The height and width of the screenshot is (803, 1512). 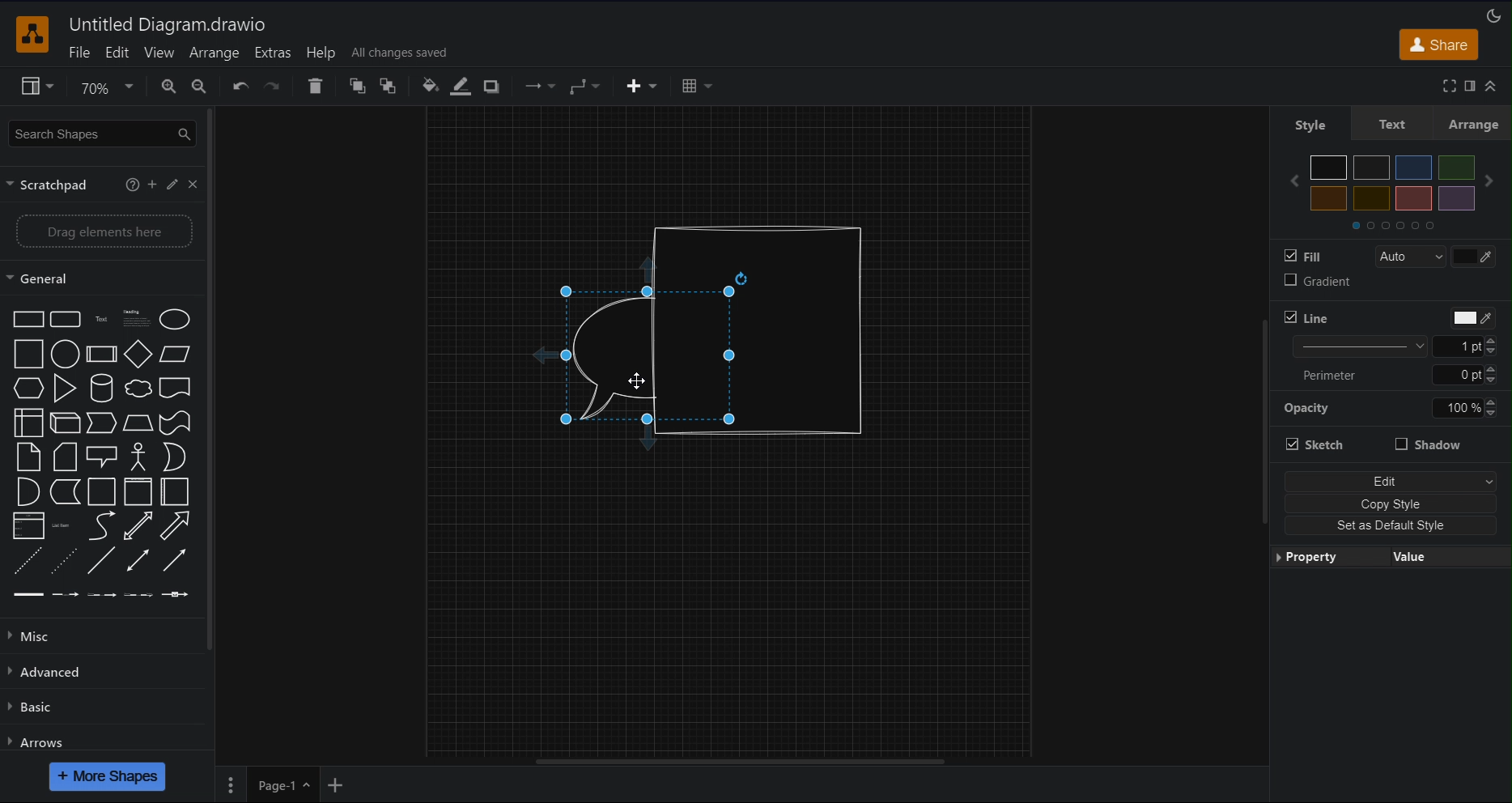 I want to click on Page 1, so click(x=283, y=784).